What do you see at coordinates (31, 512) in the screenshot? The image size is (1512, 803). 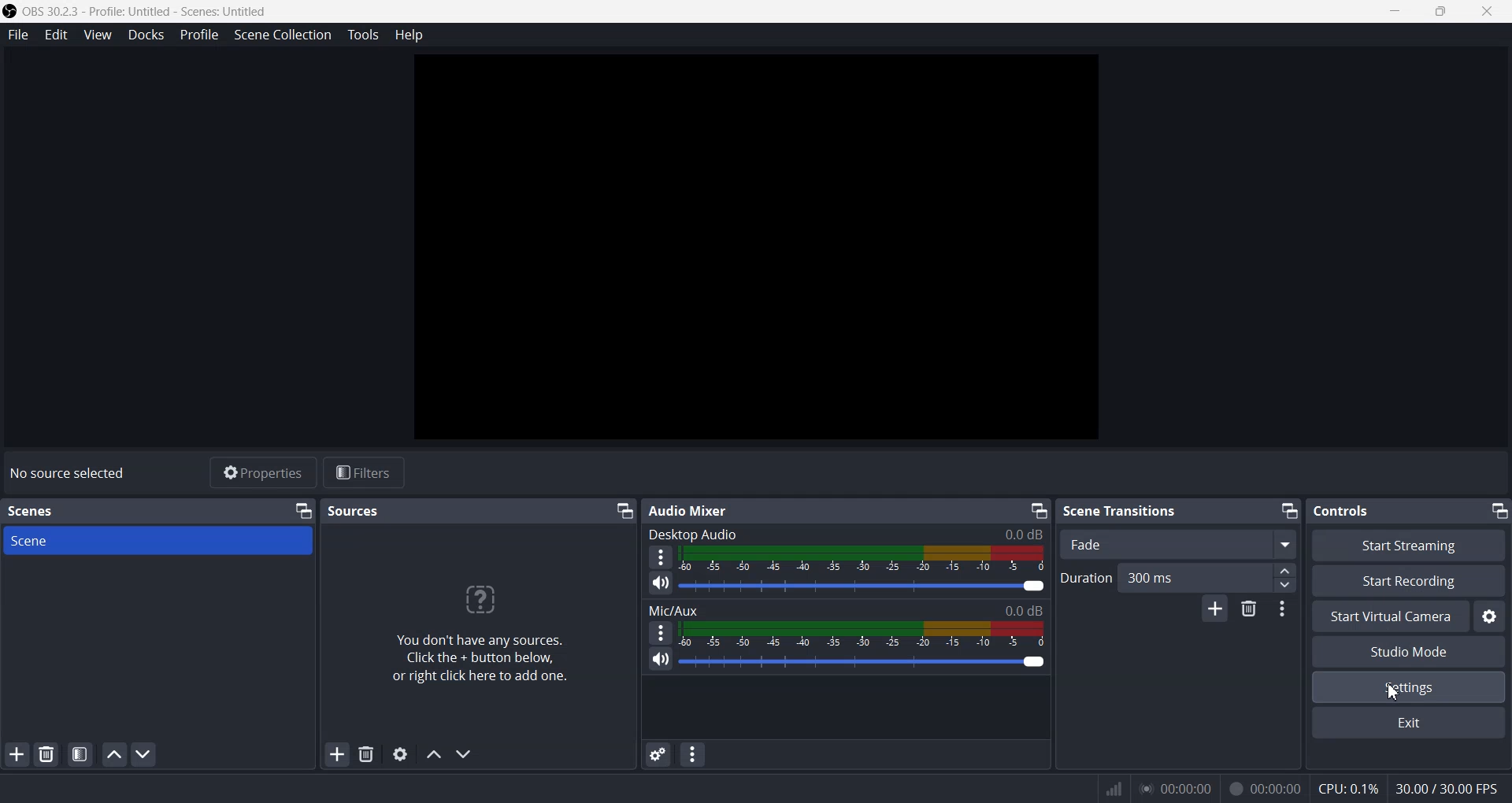 I see `Scenes` at bounding box center [31, 512].